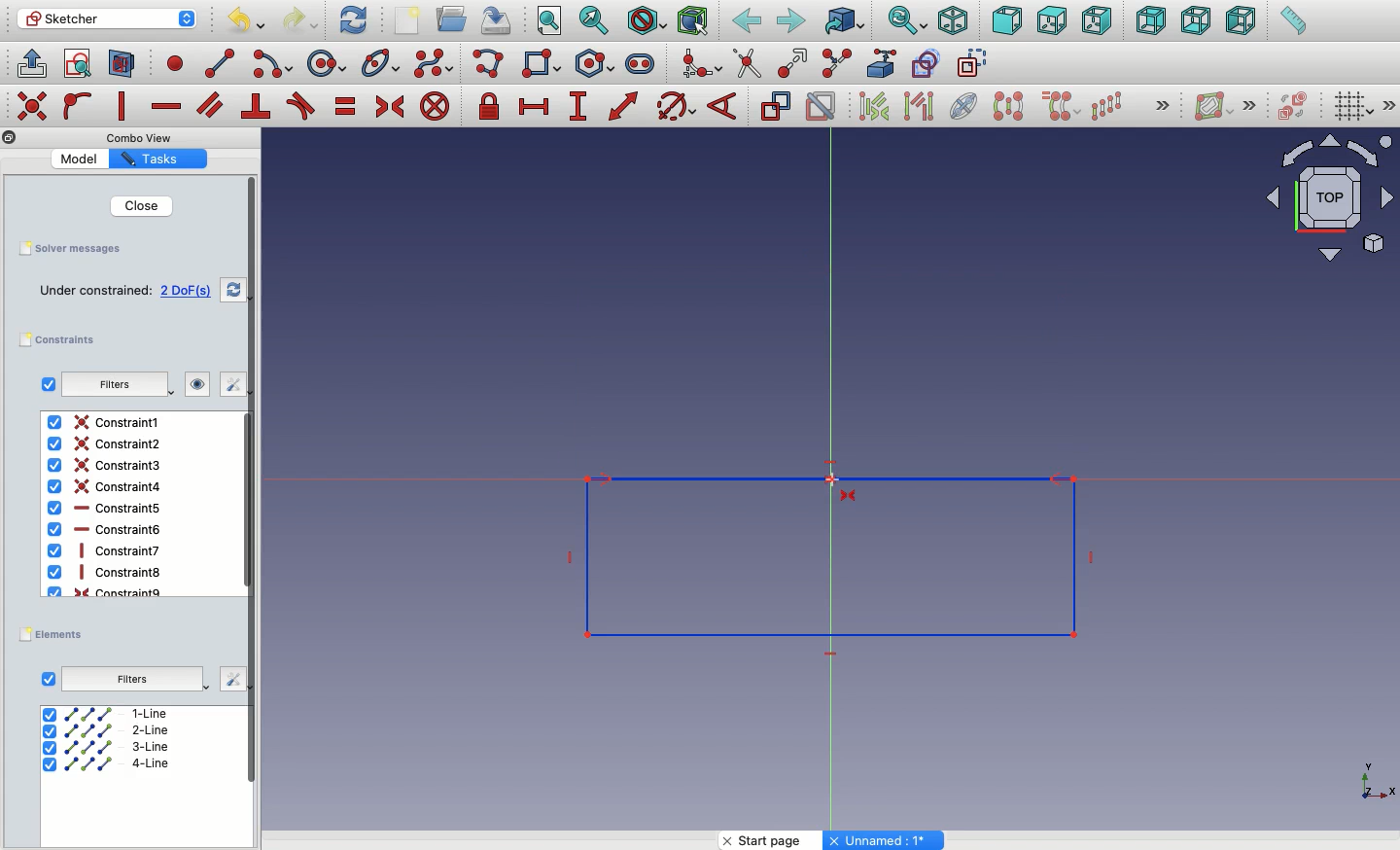 The height and width of the screenshot is (850, 1400). Describe the element at coordinates (225, 384) in the screenshot. I see `edit` at that location.